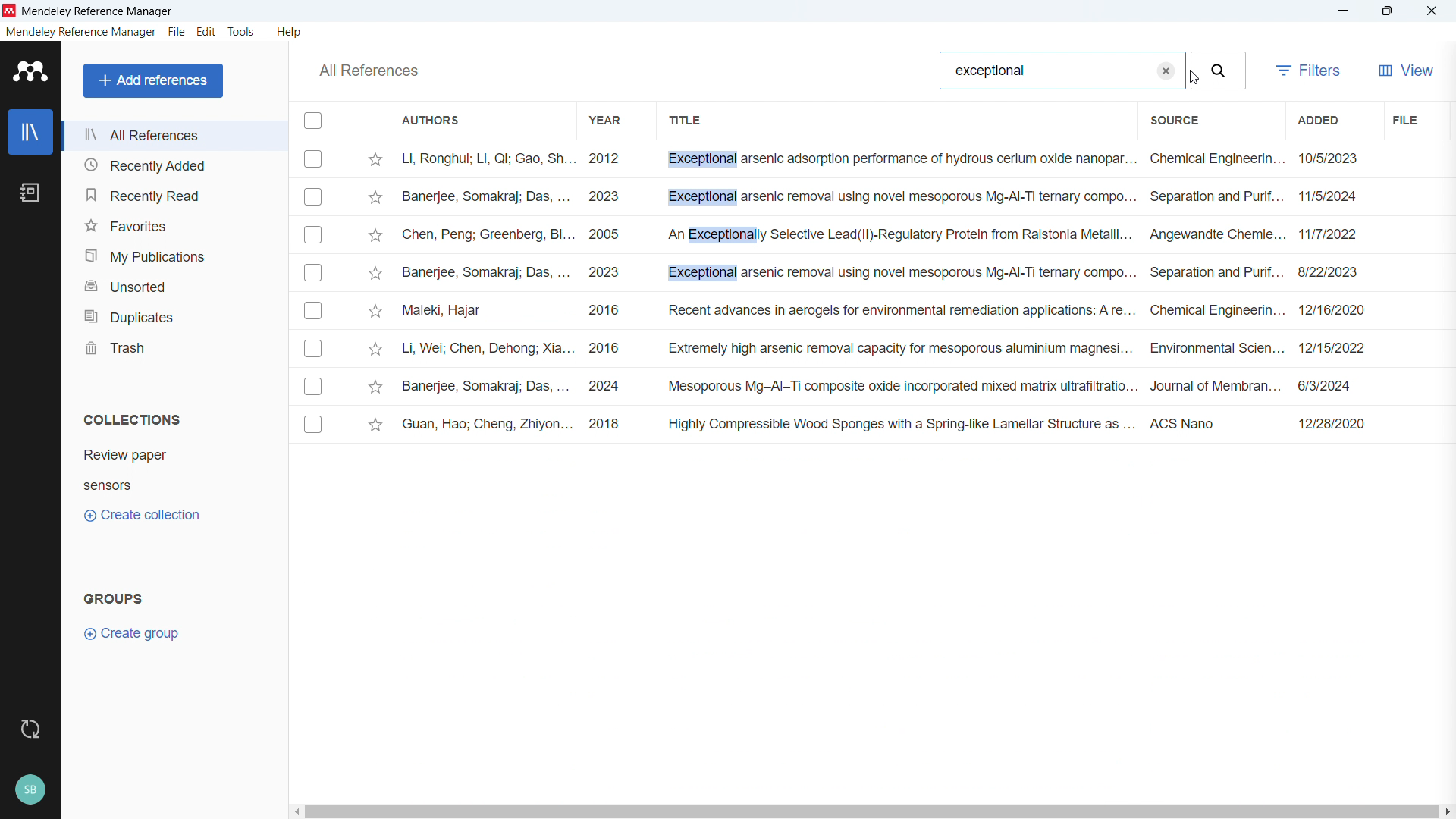 The height and width of the screenshot is (819, 1456). Describe the element at coordinates (135, 633) in the screenshot. I see `Create group ` at that location.